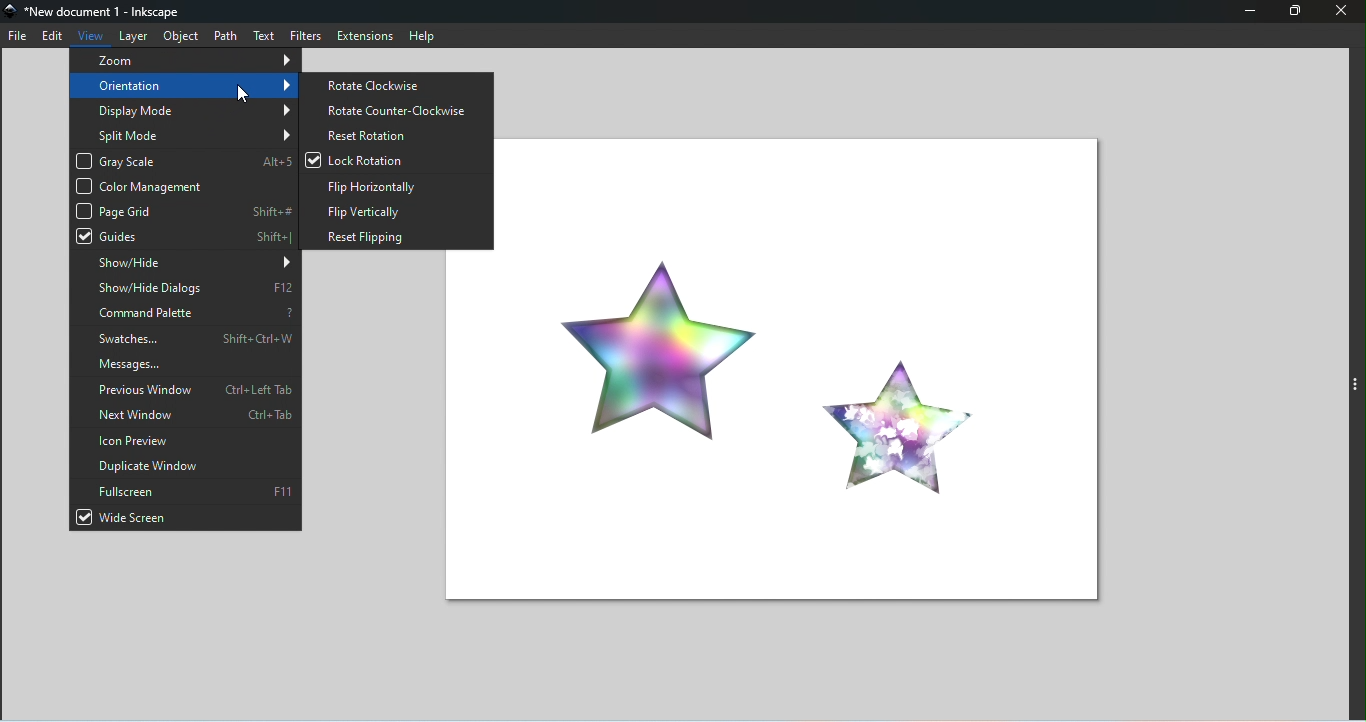 This screenshot has height=722, width=1366. Describe the element at coordinates (18, 36) in the screenshot. I see `File` at that location.